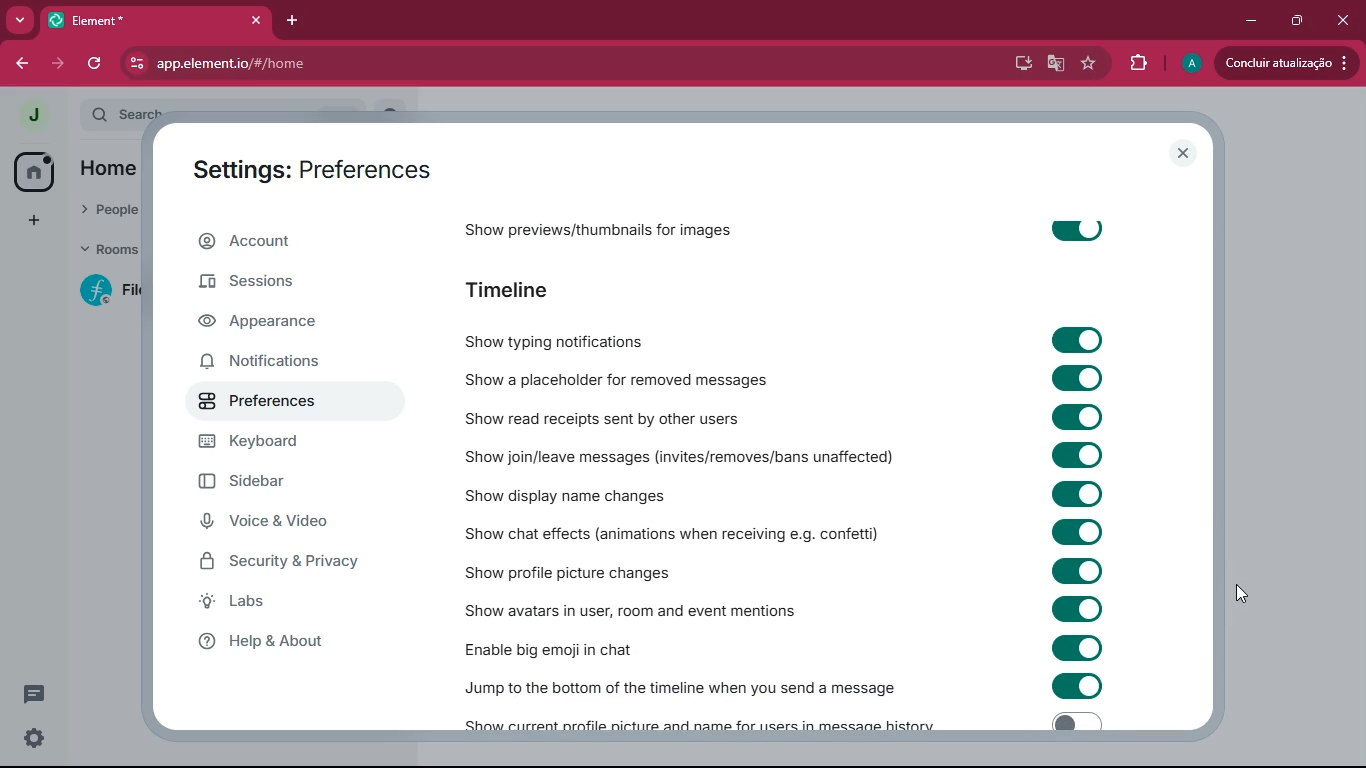 This screenshot has width=1366, height=768. What do you see at coordinates (568, 573) in the screenshot?
I see `show profile picture changes` at bounding box center [568, 573].